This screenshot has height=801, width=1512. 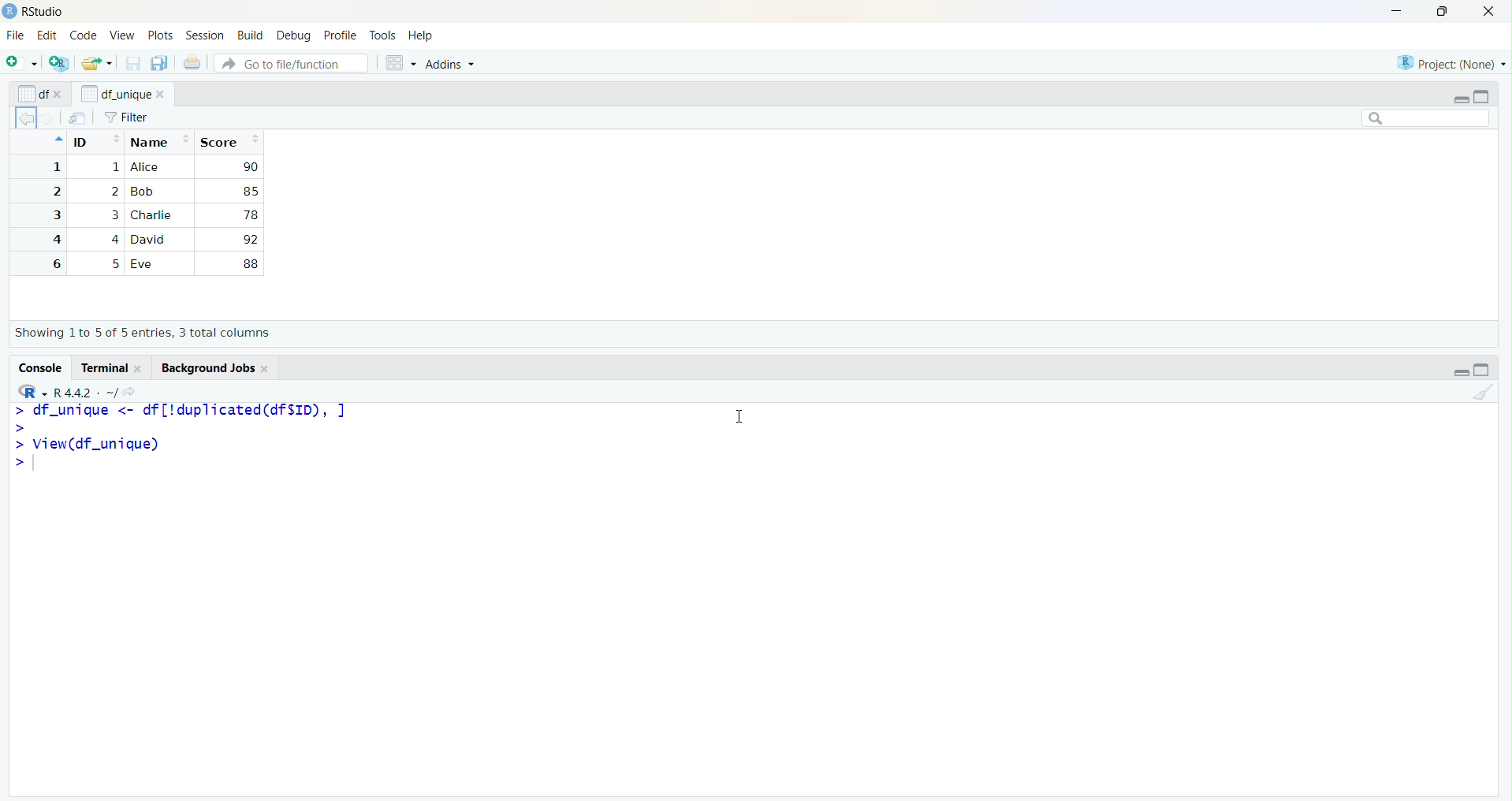 What do you see at coordinates (1488, 235) in the screenshot?
I see `scroll bar` at bounding box center [1488, 235].